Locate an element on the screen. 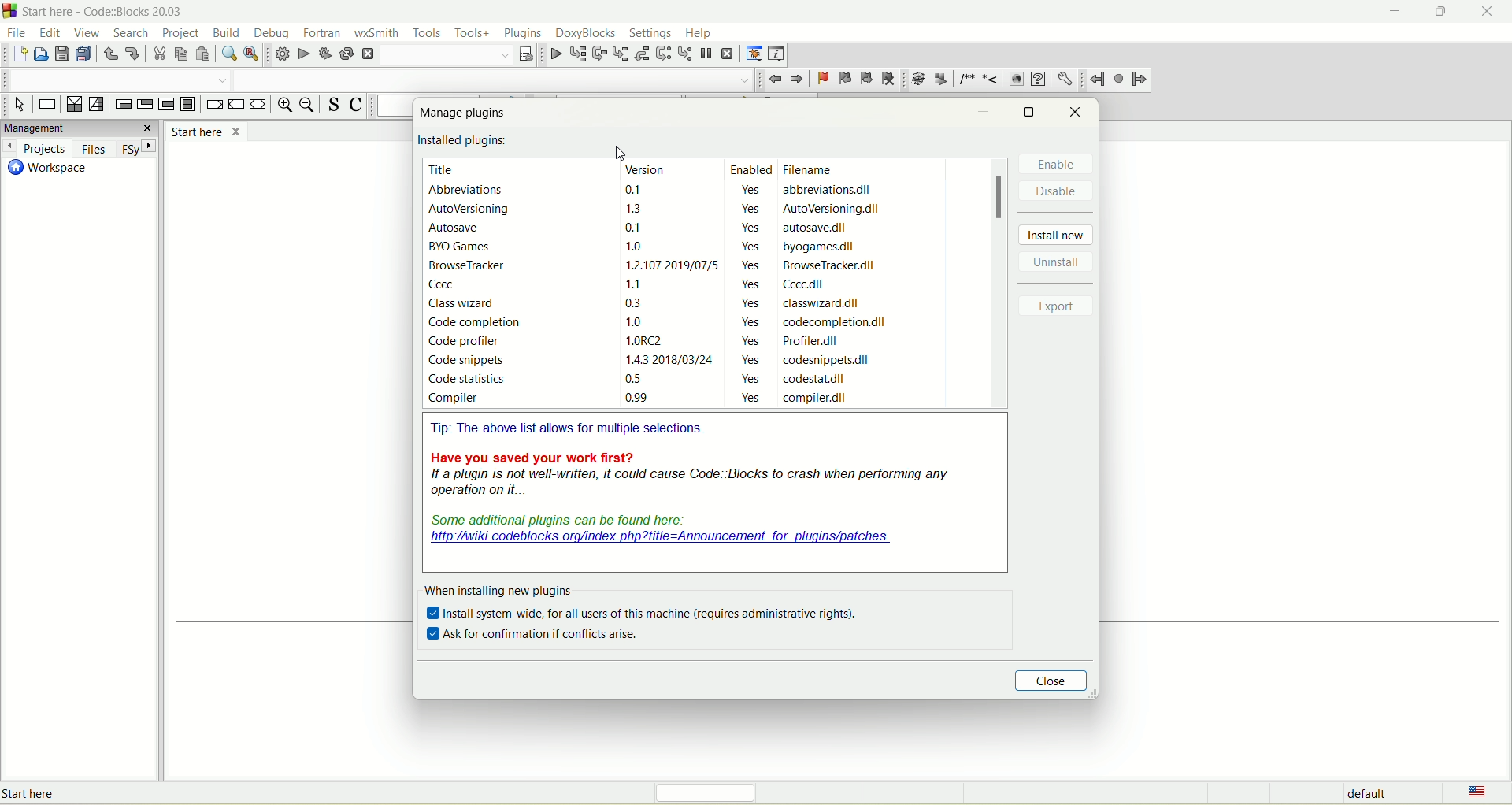 This screenshot has height=805, width=1512. Ask for confirmation if conflicts arise. is located at coordinates (534, 634).